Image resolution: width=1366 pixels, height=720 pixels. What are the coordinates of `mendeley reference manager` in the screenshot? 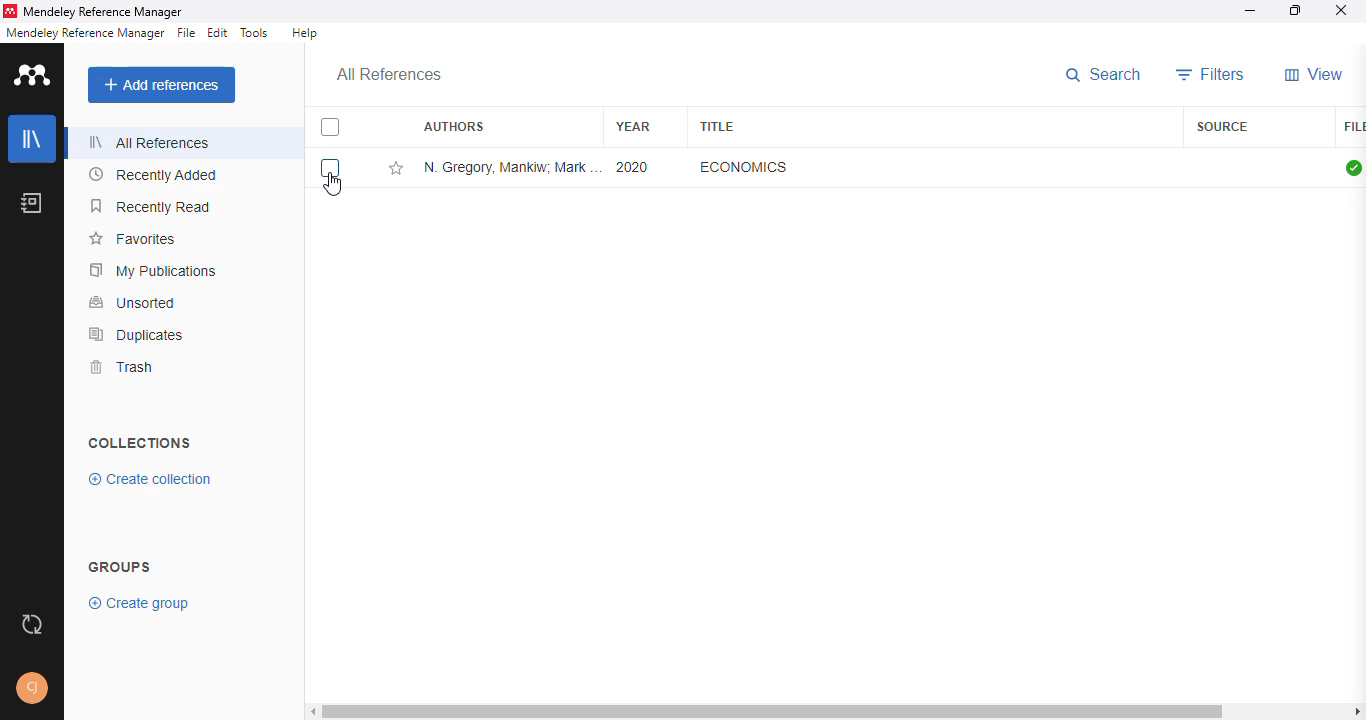 It's located at (103, 11).